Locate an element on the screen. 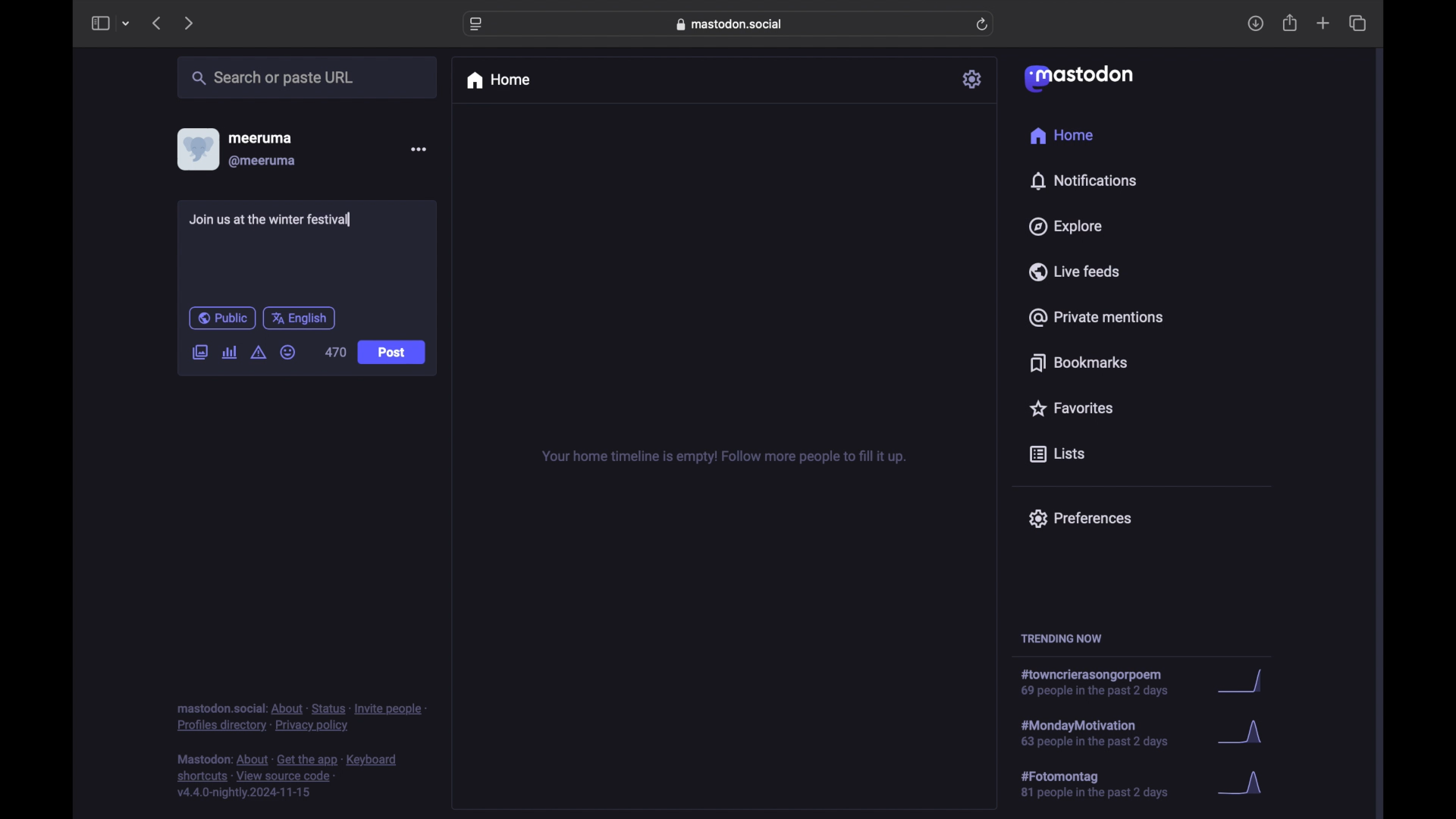 Image resolution: width=1456 pixels, height=819 pixels. graph is located at coordinates (1244, 736).